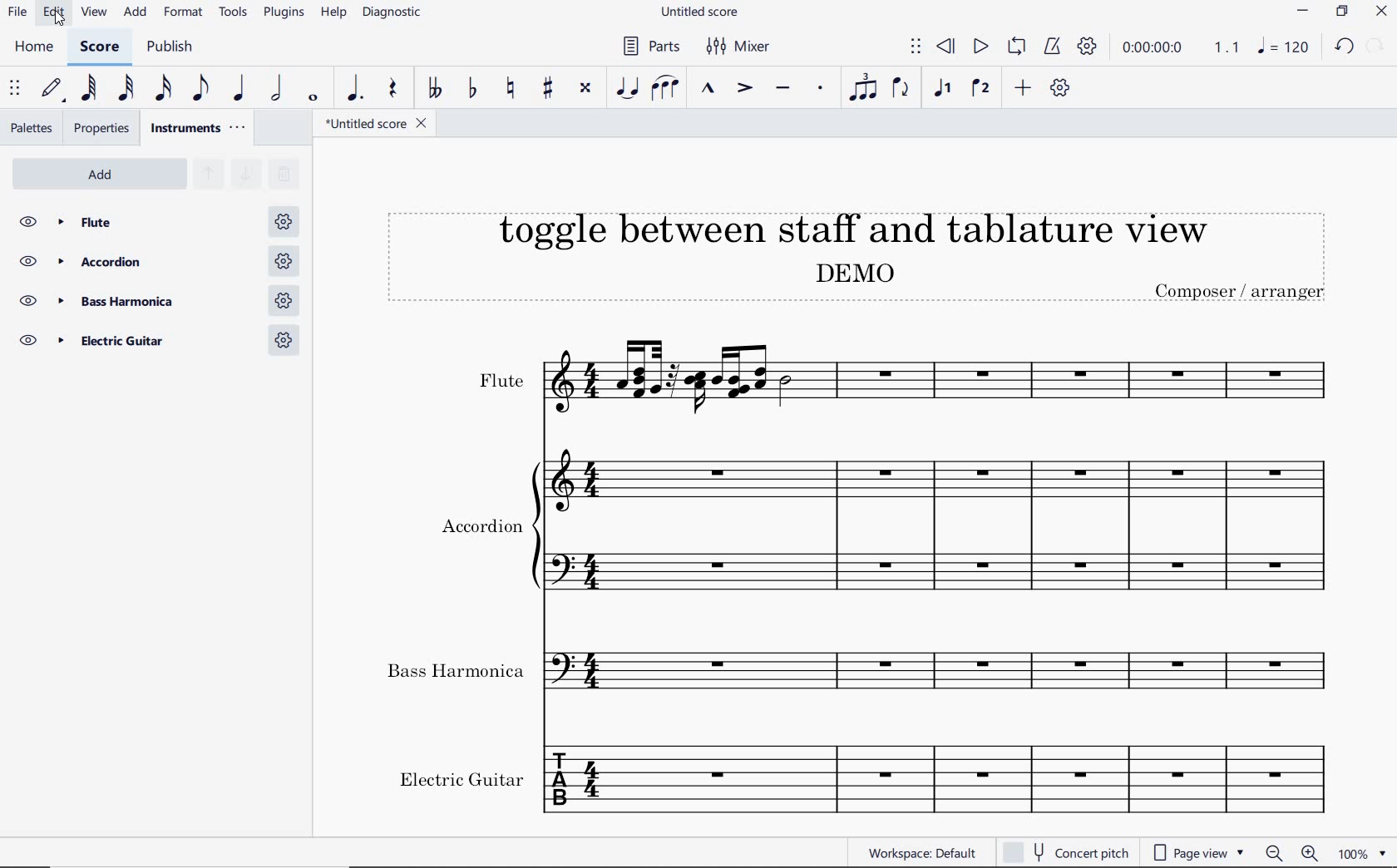  Describe the element at coordinates (1340, 12) in the screenshot. I see `RESTORE DOWN` at that location.